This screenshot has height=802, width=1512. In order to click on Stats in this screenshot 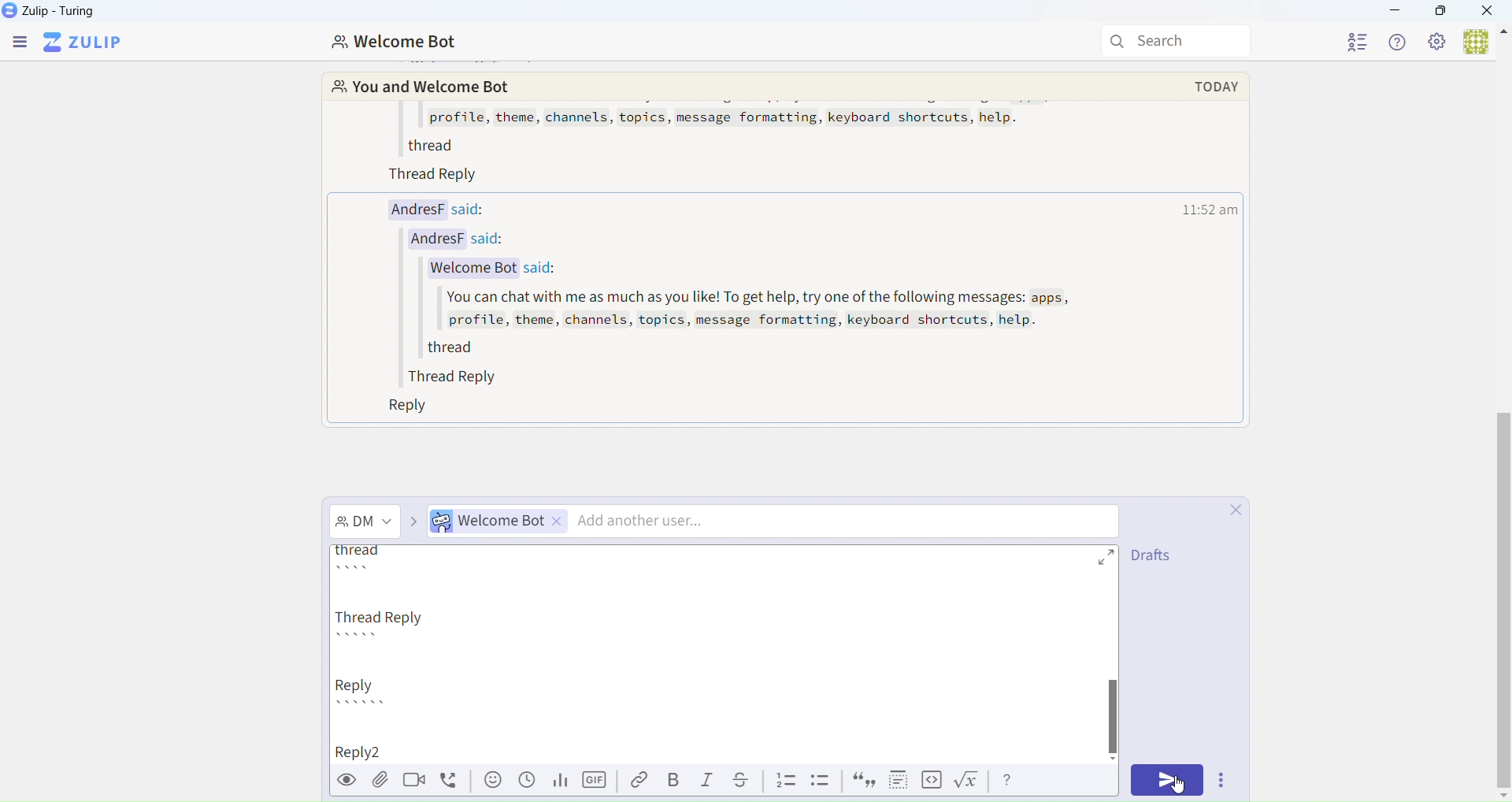, I will do `click(559, 781)`.